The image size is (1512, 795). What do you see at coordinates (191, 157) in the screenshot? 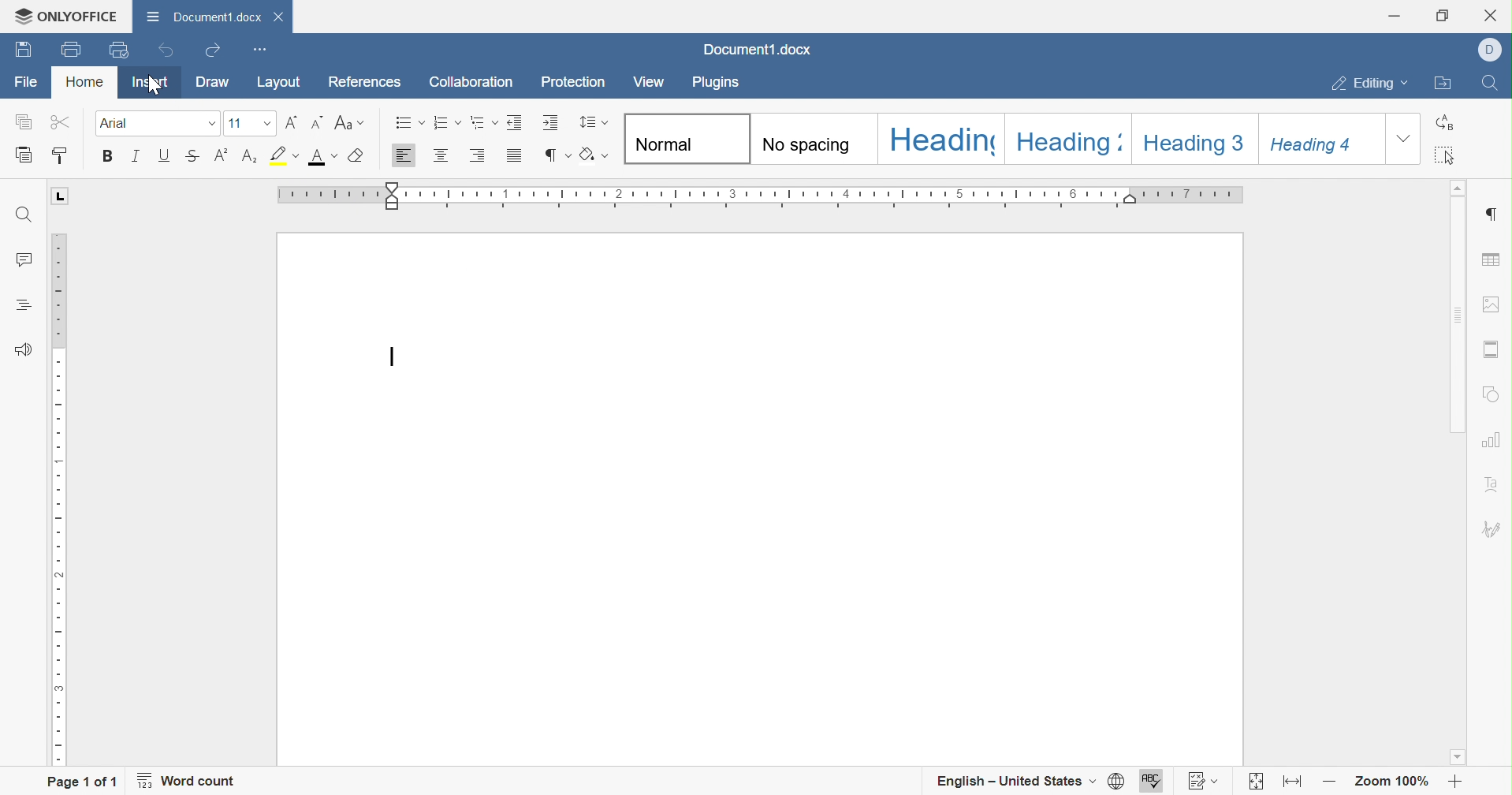
I see `Strikethrough` at bounding box center [191, 157].